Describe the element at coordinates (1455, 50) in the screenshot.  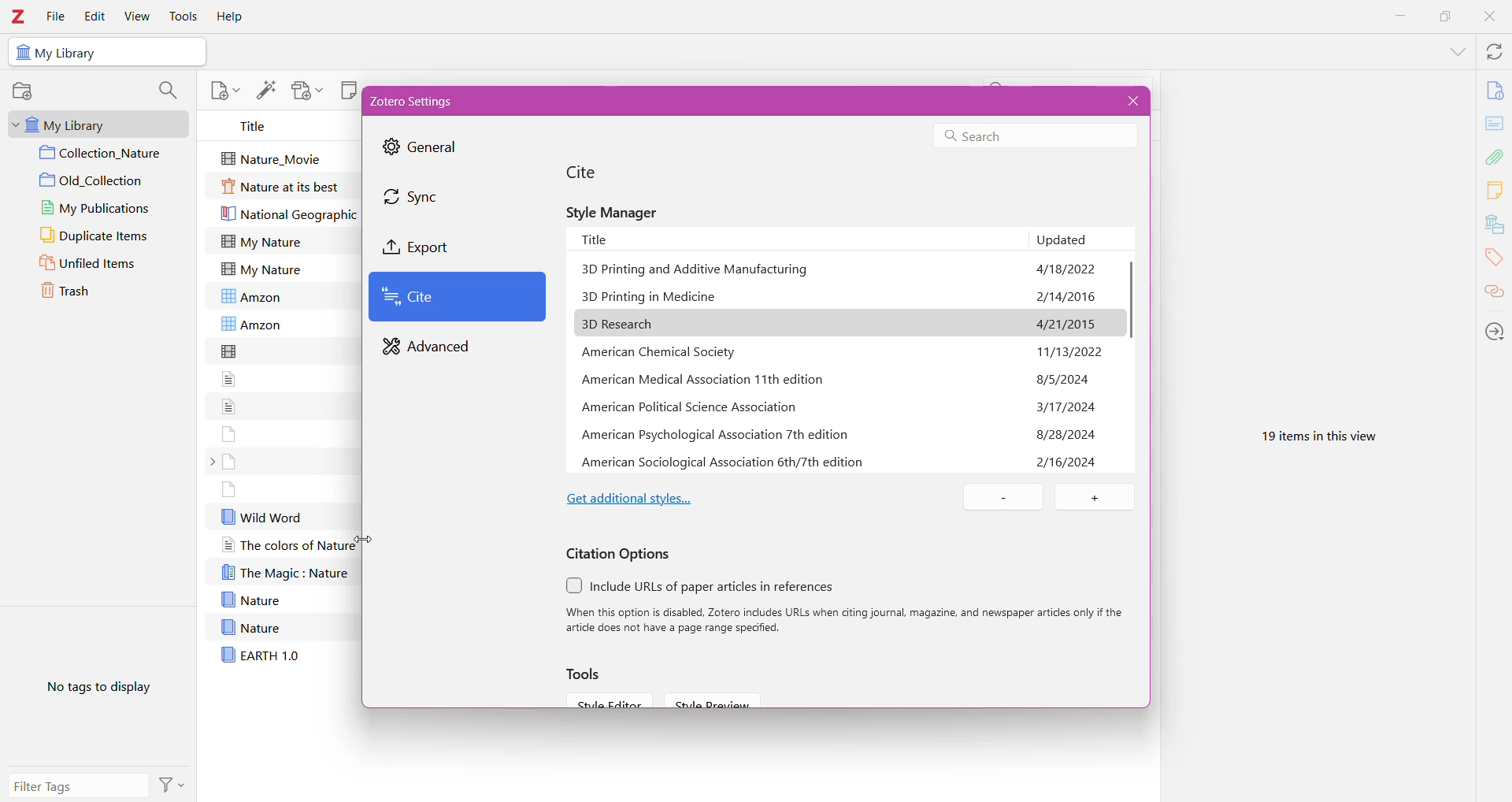
I see `List all Tabs` at that location.